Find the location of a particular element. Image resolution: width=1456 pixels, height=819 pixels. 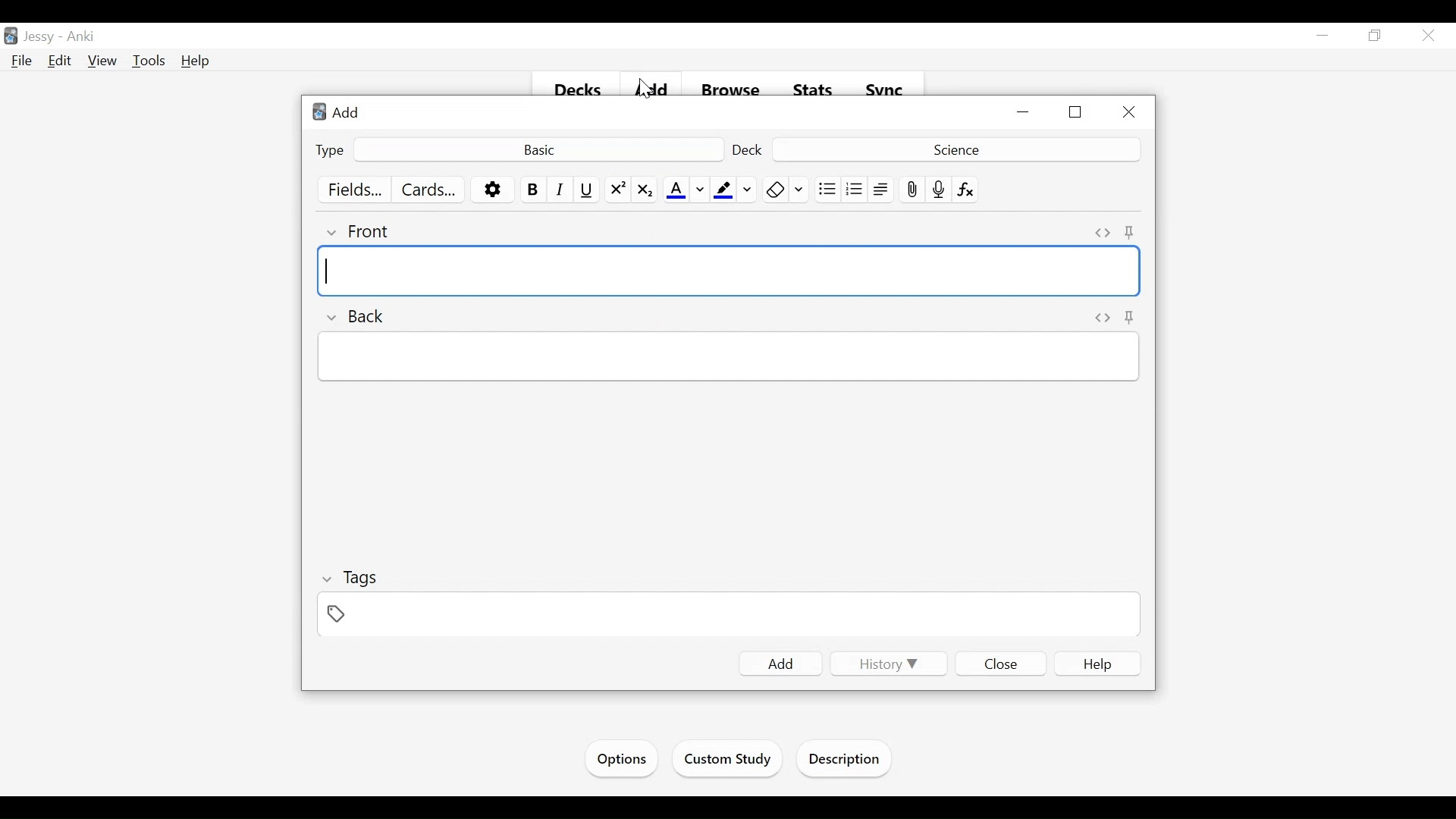

Superscript is located at coordinates (618, 190).